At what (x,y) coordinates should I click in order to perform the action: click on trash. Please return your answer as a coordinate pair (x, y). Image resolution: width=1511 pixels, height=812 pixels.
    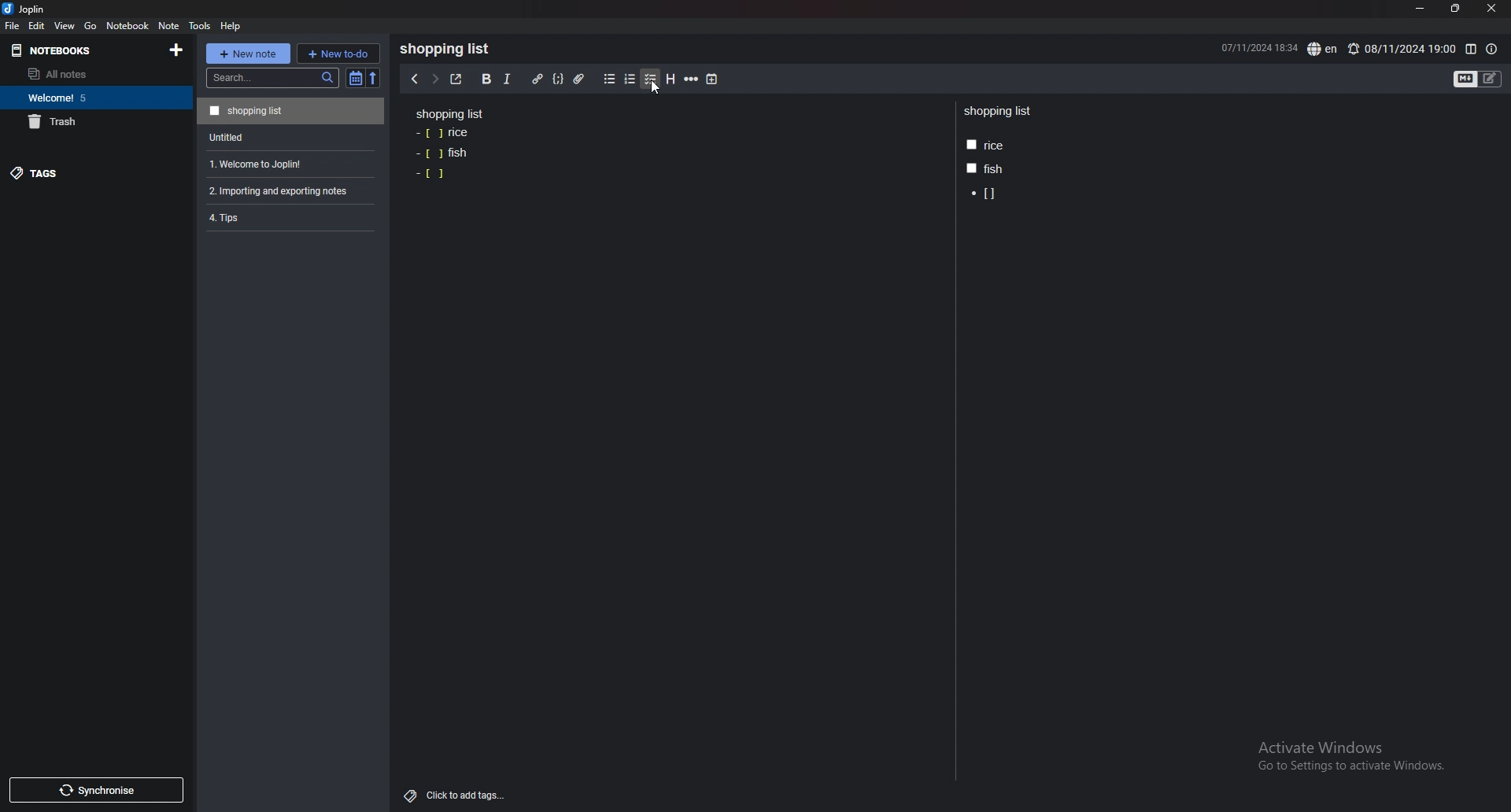
    Looking at the image, I should click on (93, 121).